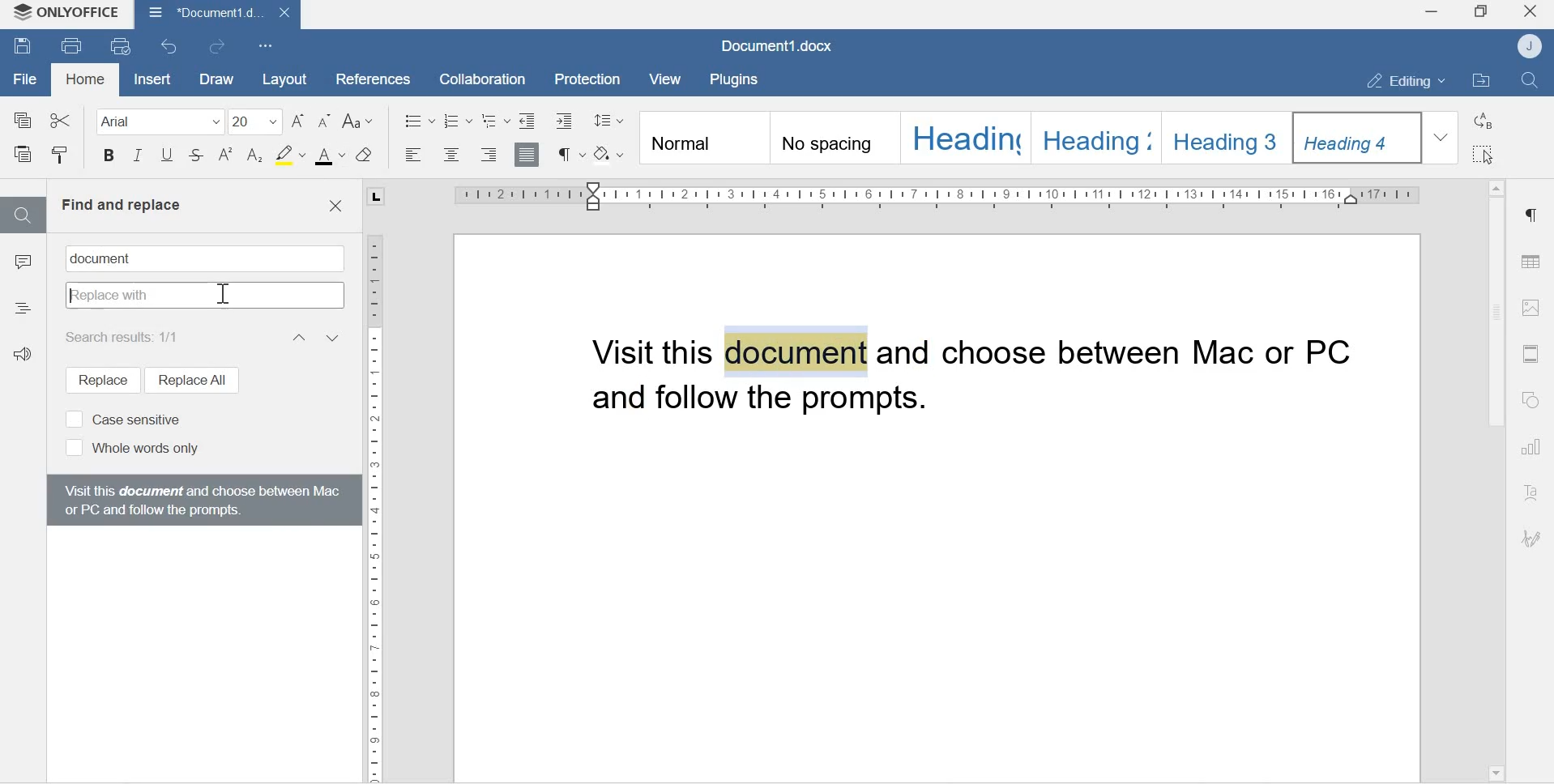 The image size is (1554, 784). Describe the element at coordinates (289, 154) in the screenshot. I see `Highlight color` at that location.